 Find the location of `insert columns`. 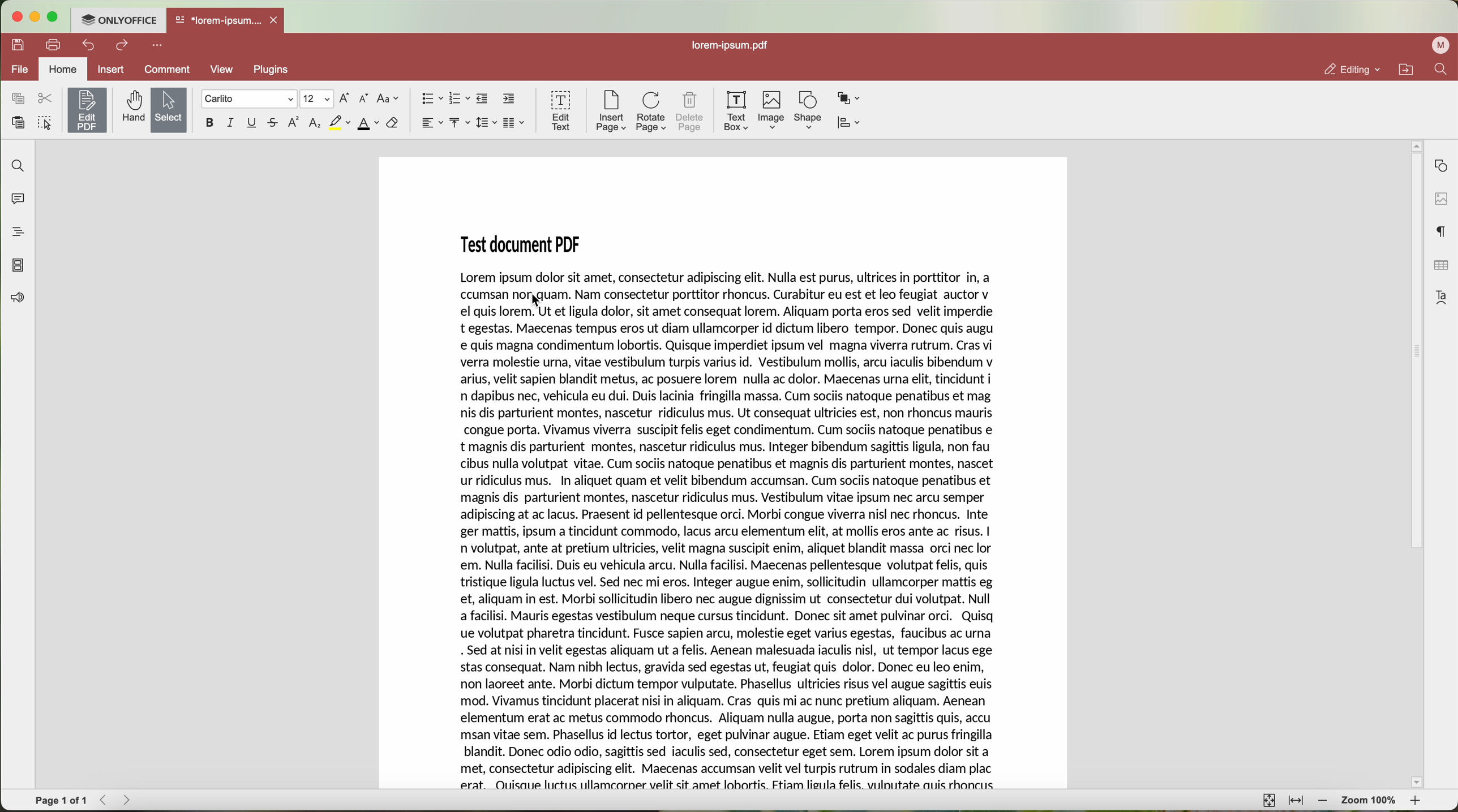

insert columns is located at coordinates (513, 123).